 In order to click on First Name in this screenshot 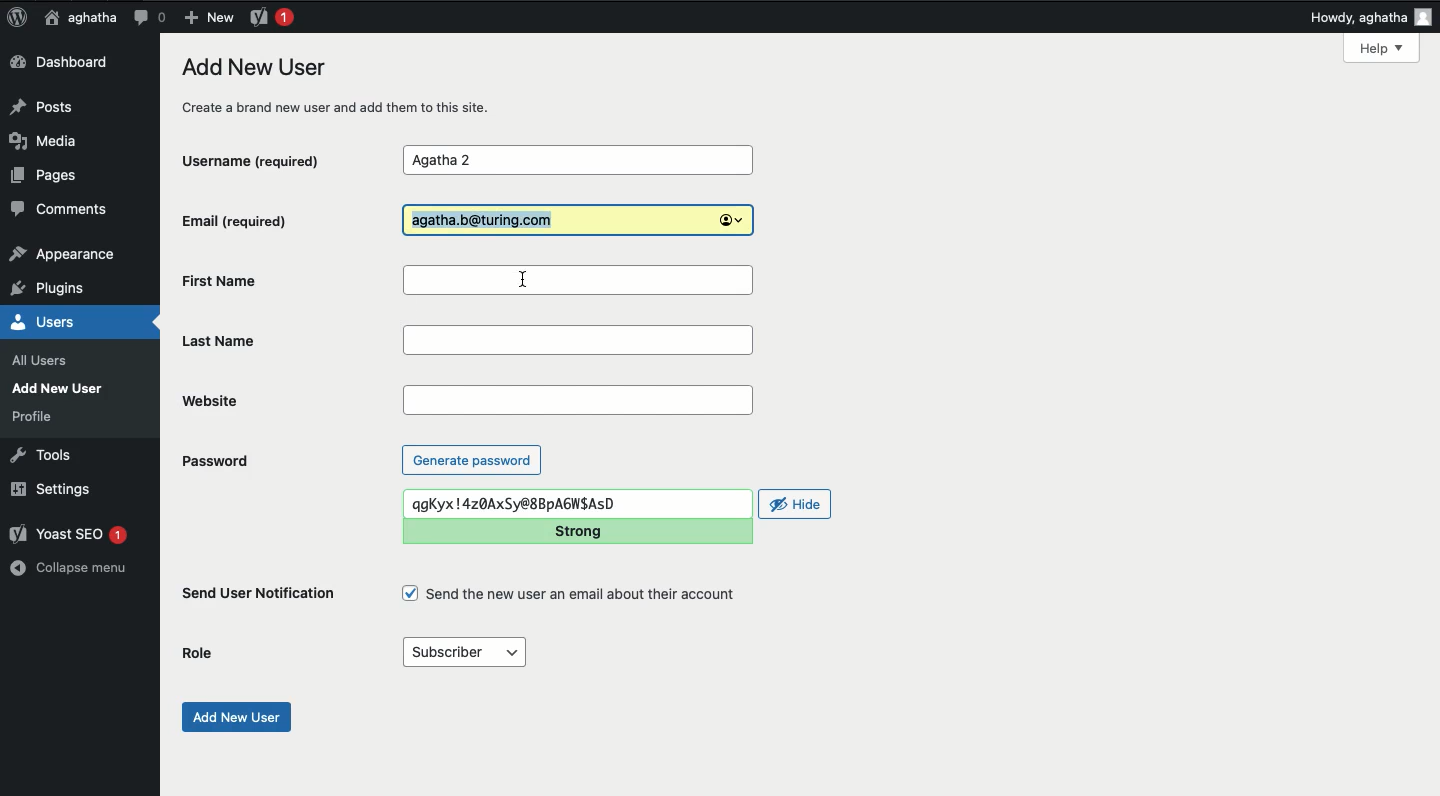, I will do `click(577, 280)`.